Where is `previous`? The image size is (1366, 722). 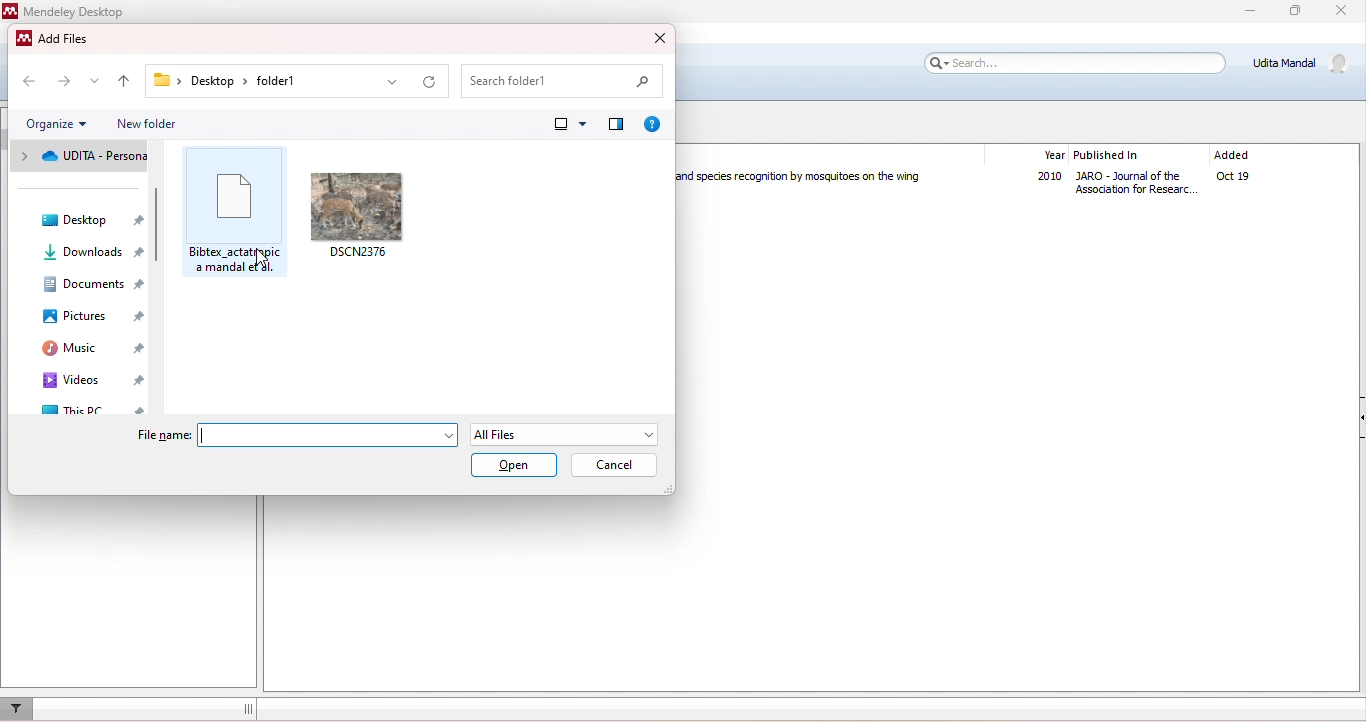 previous is located at coordinates (32, 80).